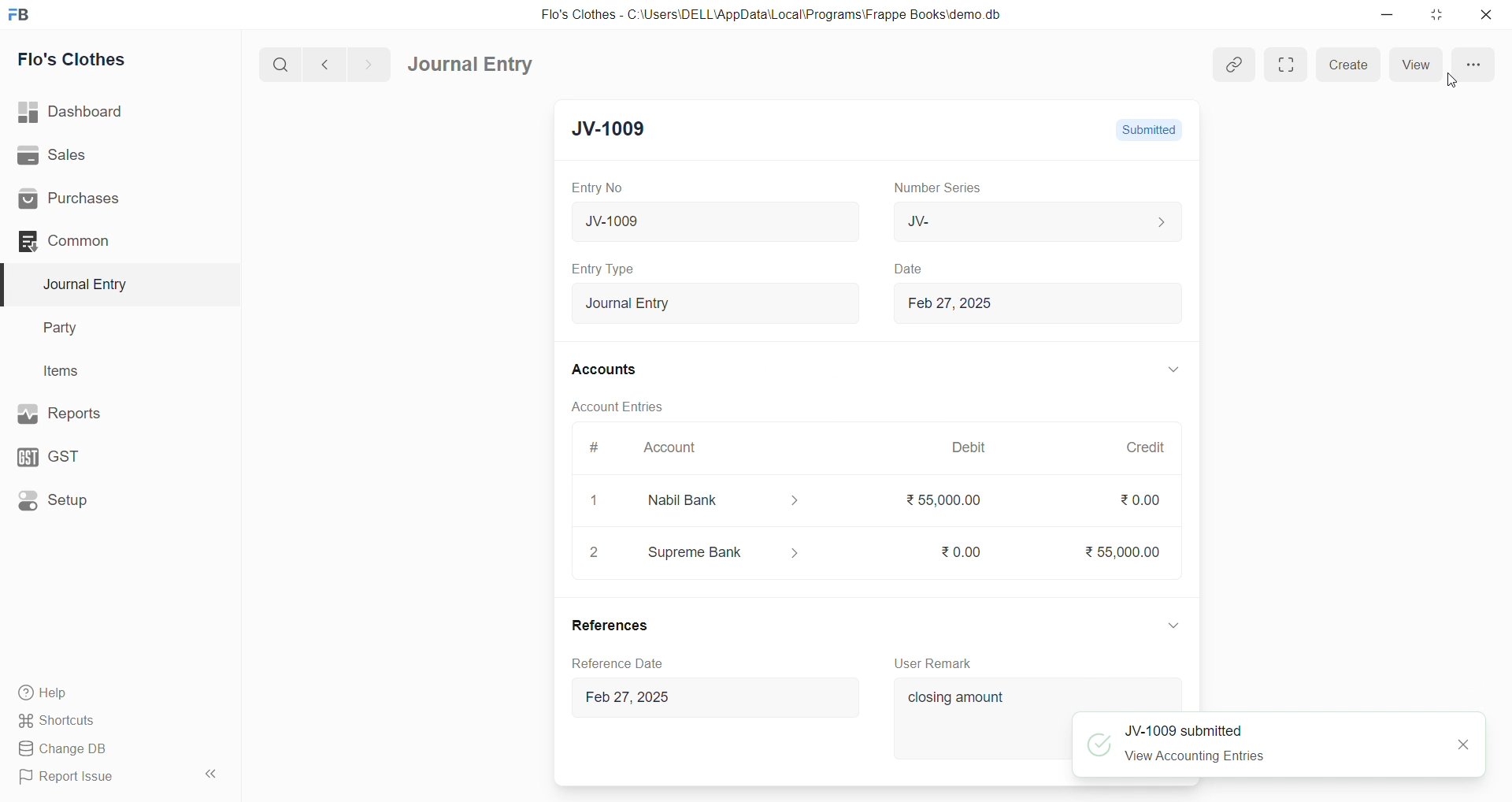 The width and height of the screenshot is (1512, 802). Describe the element at coordinates (721, 503) in the screenshot. I see `Nabil Bank` at that location.